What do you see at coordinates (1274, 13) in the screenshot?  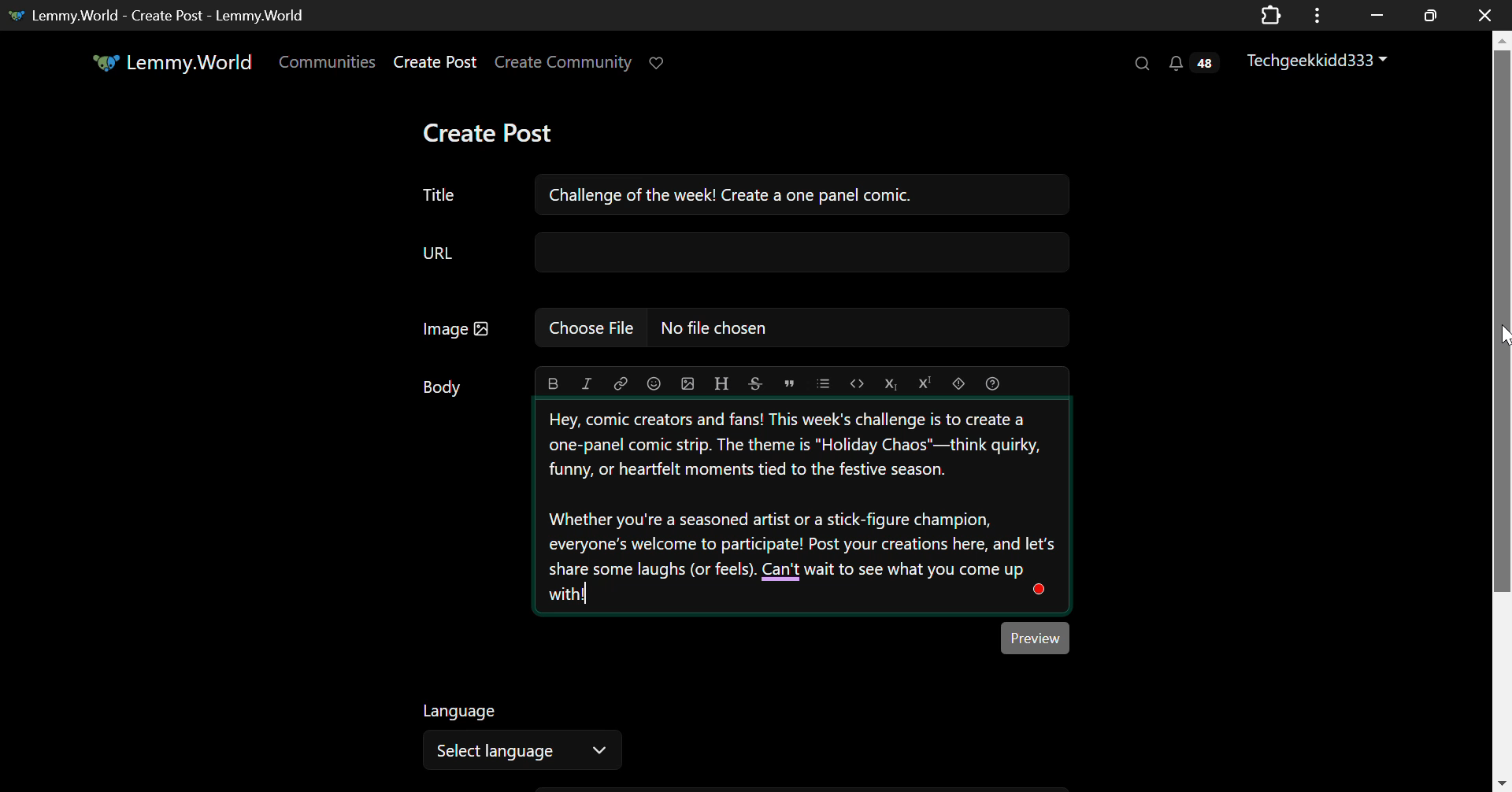 I see `Application Extension` at bounding box center [1274, 13].